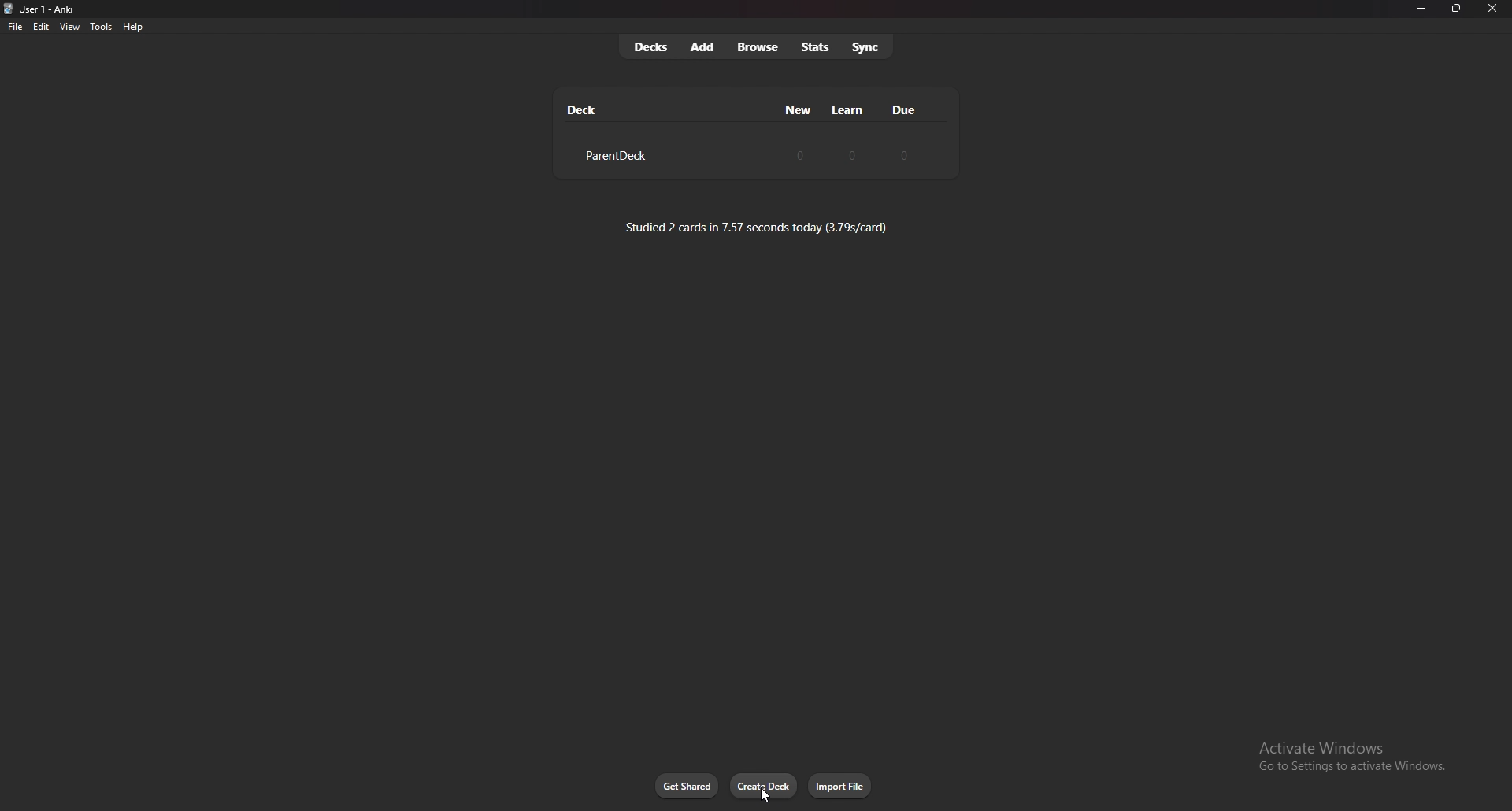 The width and height of the screenshot is (1512, 811). Describe the element at coordinates (841, 786) in the screenshot. I see `import file` at that location.